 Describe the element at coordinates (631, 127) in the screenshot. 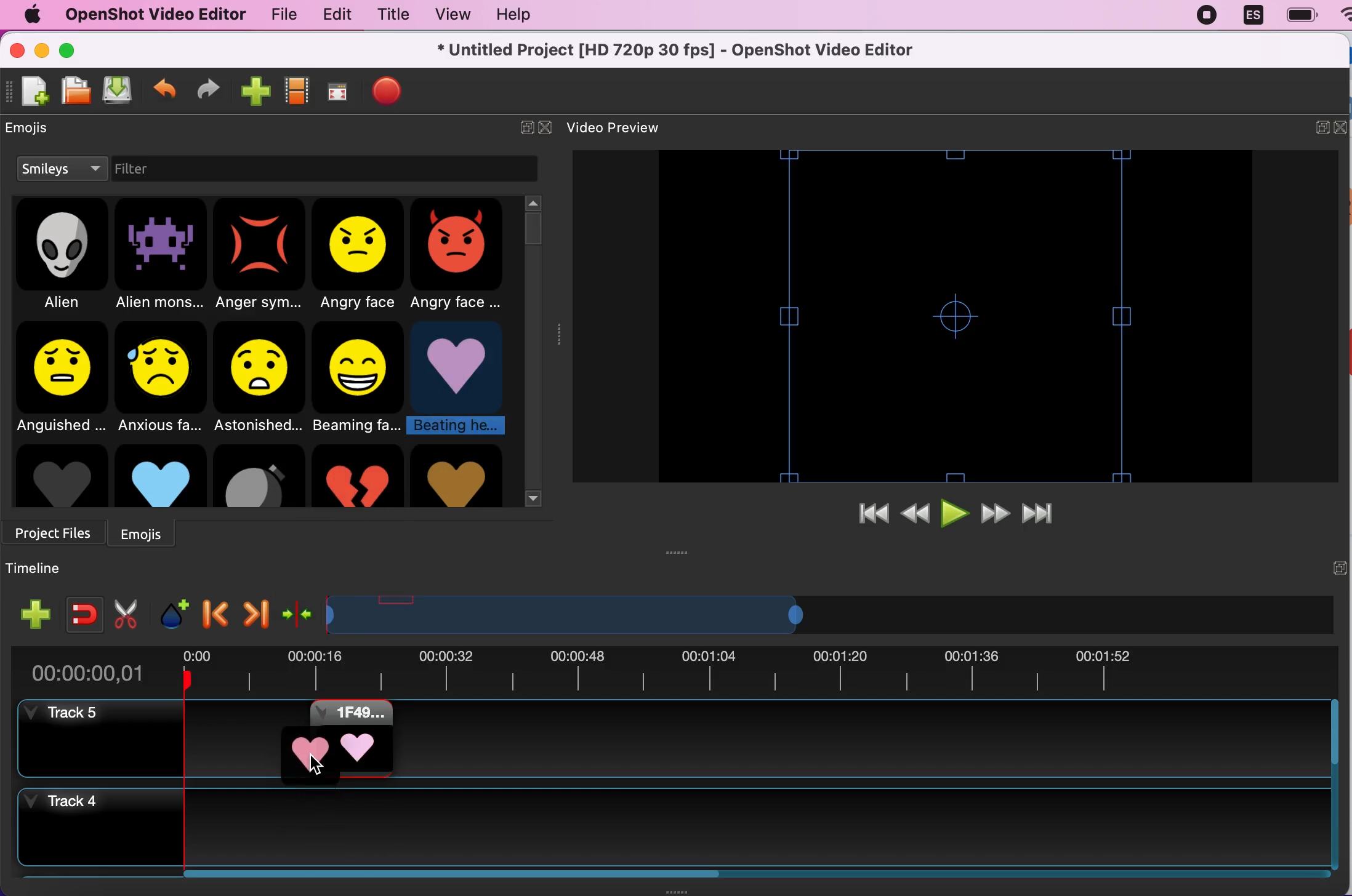

I see `video preview` at that location.